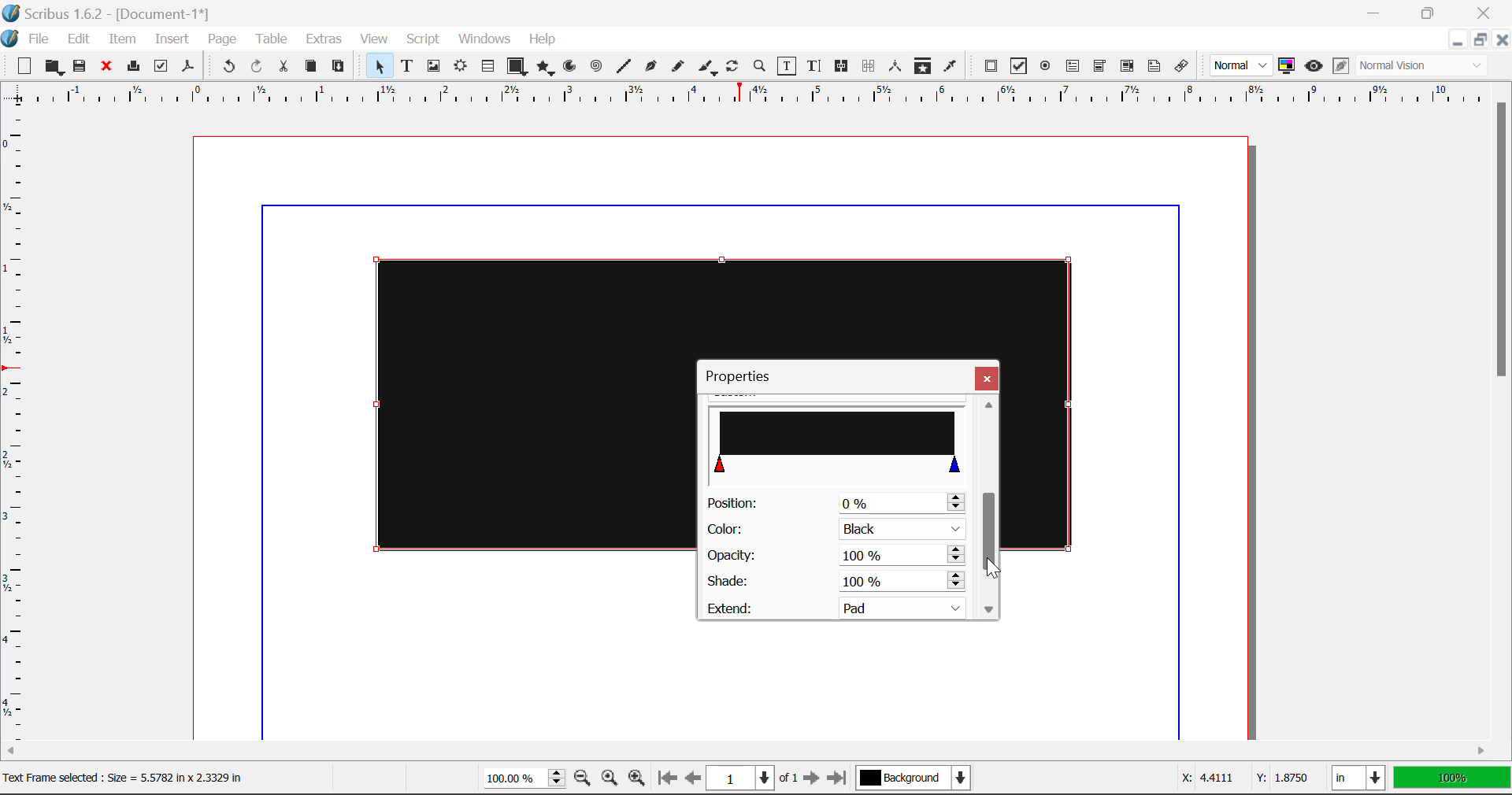 The width and height of the screenshot is (1512, 795). Describe the element at coordinates (693, 780) in the screenshot. I see `Previous Page` at that location.